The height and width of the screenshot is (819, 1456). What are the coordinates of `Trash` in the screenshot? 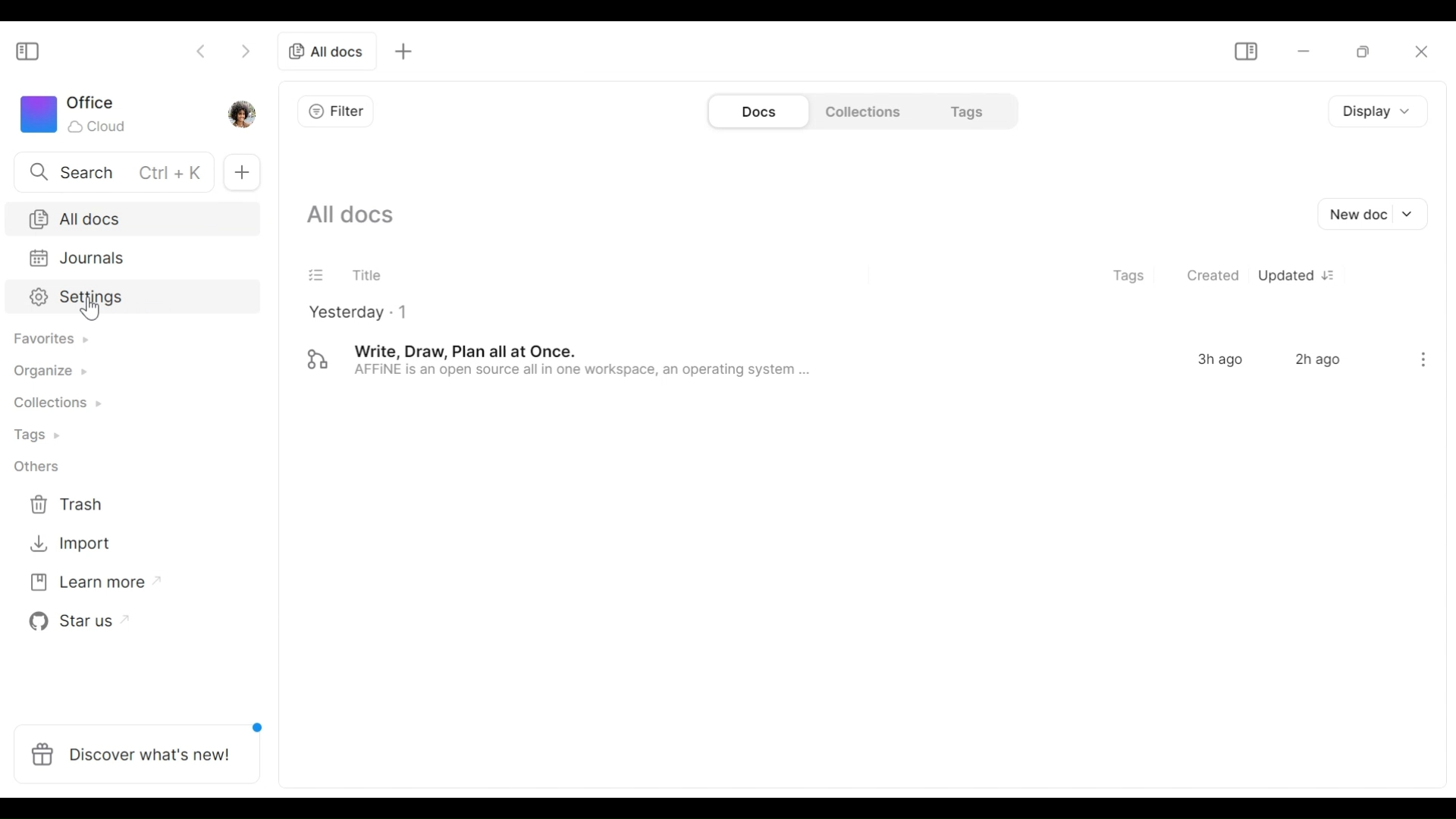 It's located at (67, 505).